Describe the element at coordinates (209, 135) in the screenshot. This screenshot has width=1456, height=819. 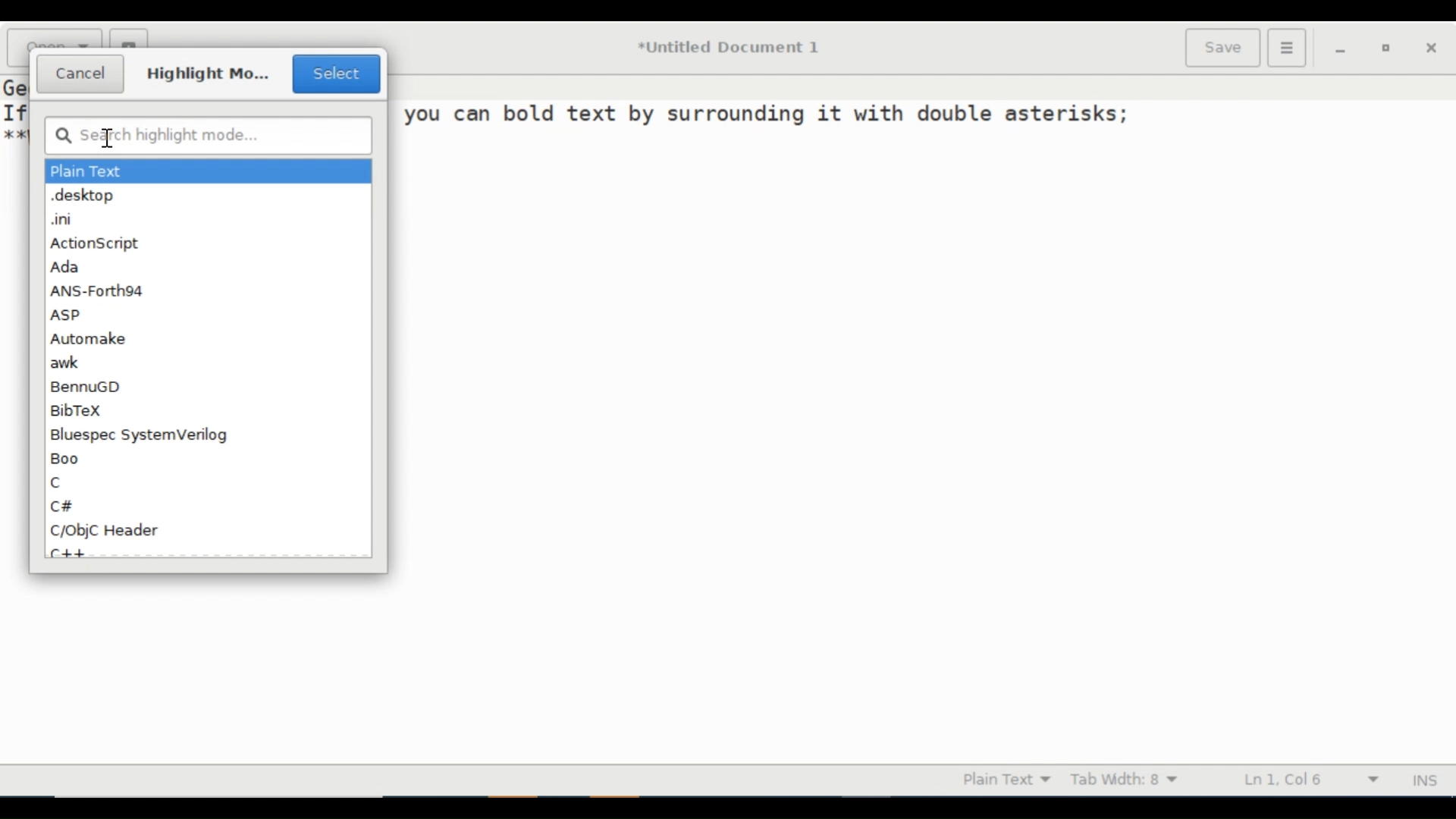
I see `Search box` at that location.